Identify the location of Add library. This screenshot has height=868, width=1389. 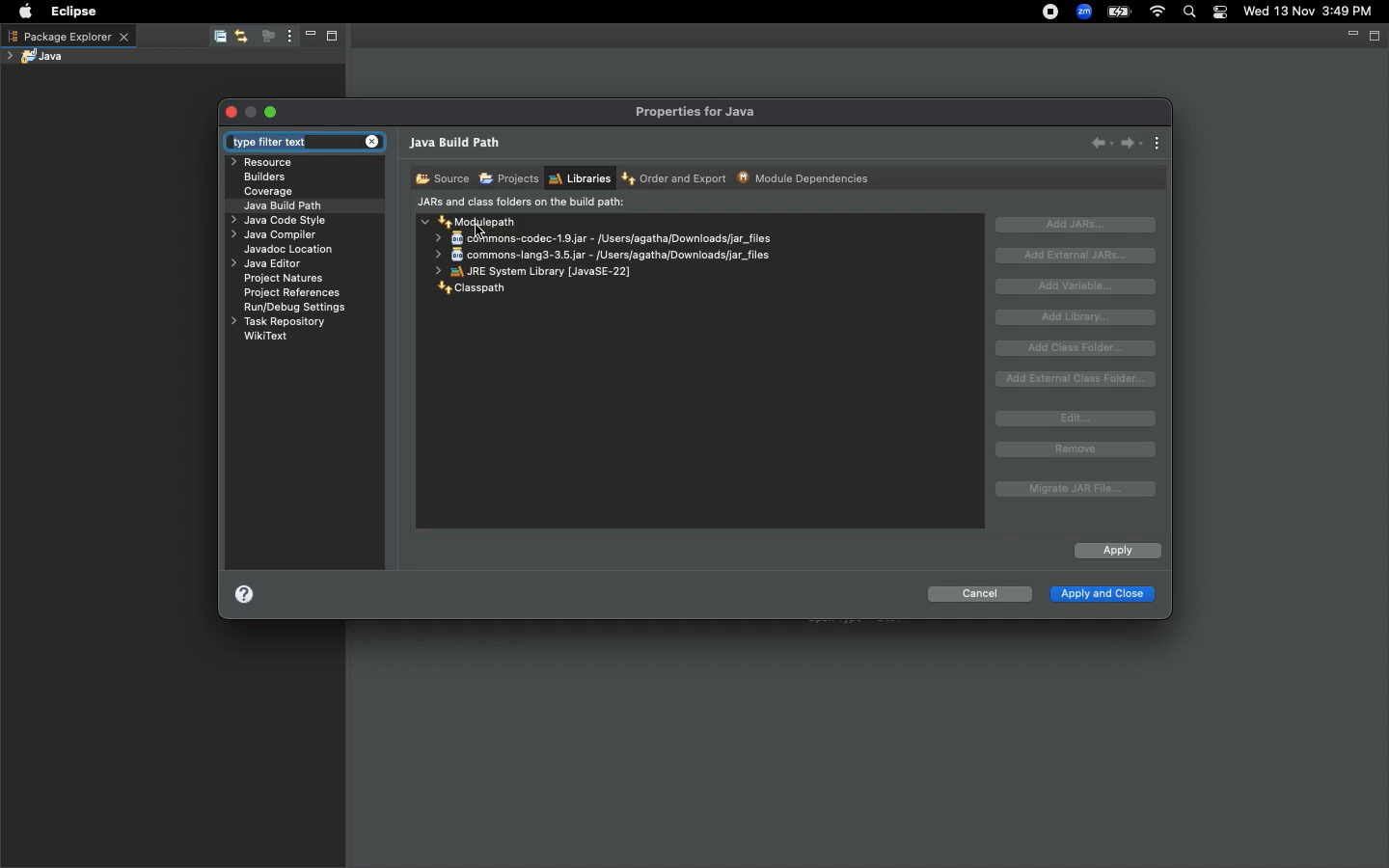
(1078, 317).